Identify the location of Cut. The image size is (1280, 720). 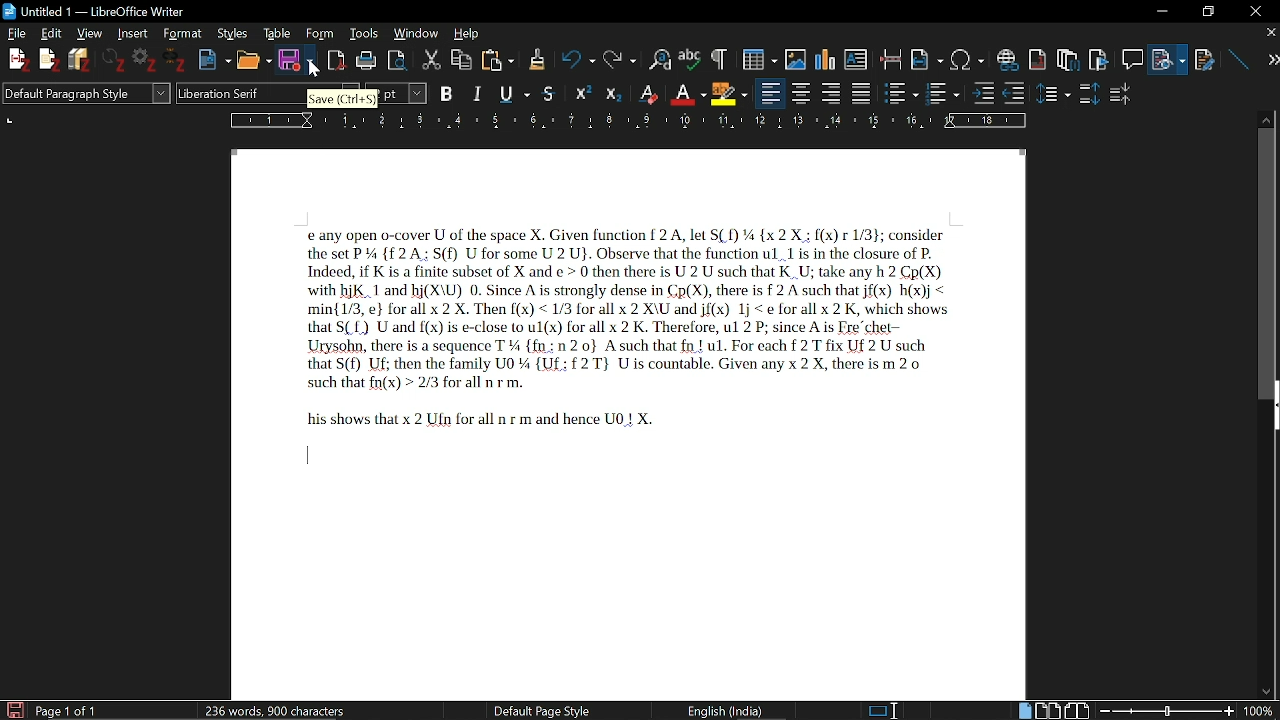
(433, 58).